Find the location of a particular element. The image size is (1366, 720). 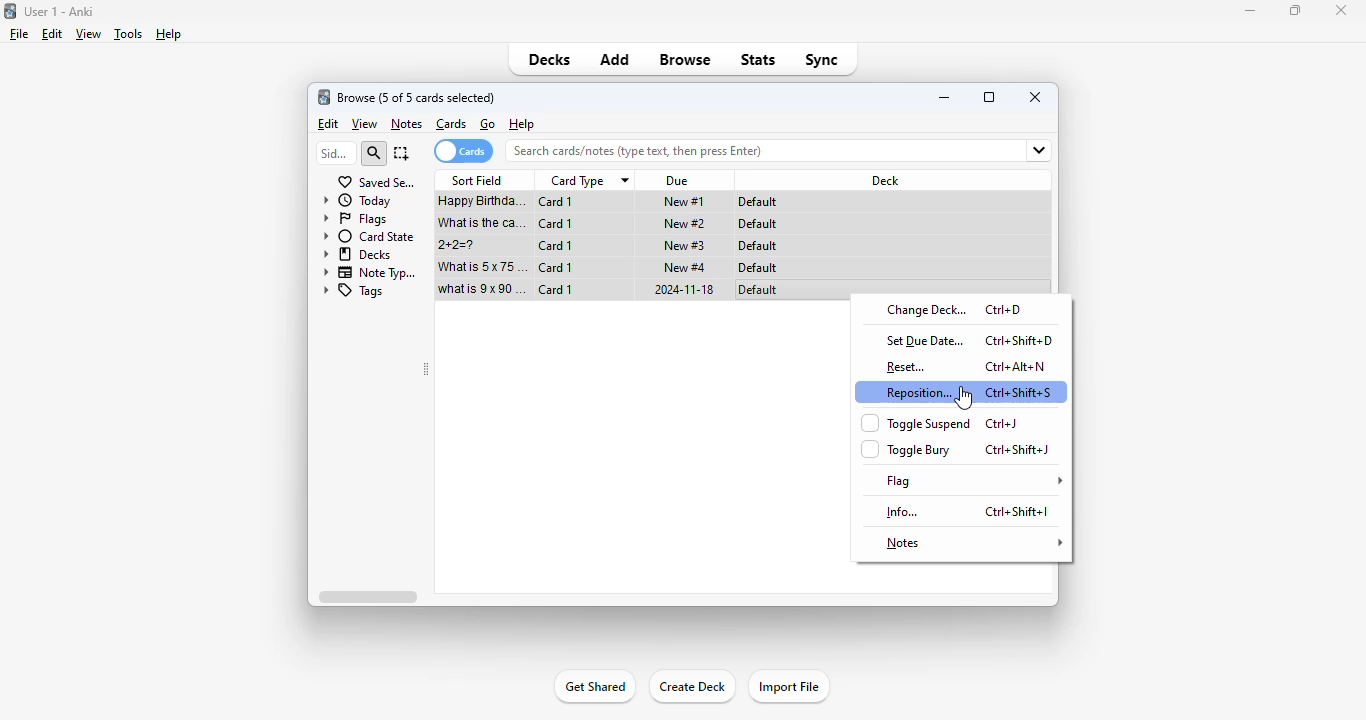

shortcut for toggle suspend is located at coordinates (1001, 424).